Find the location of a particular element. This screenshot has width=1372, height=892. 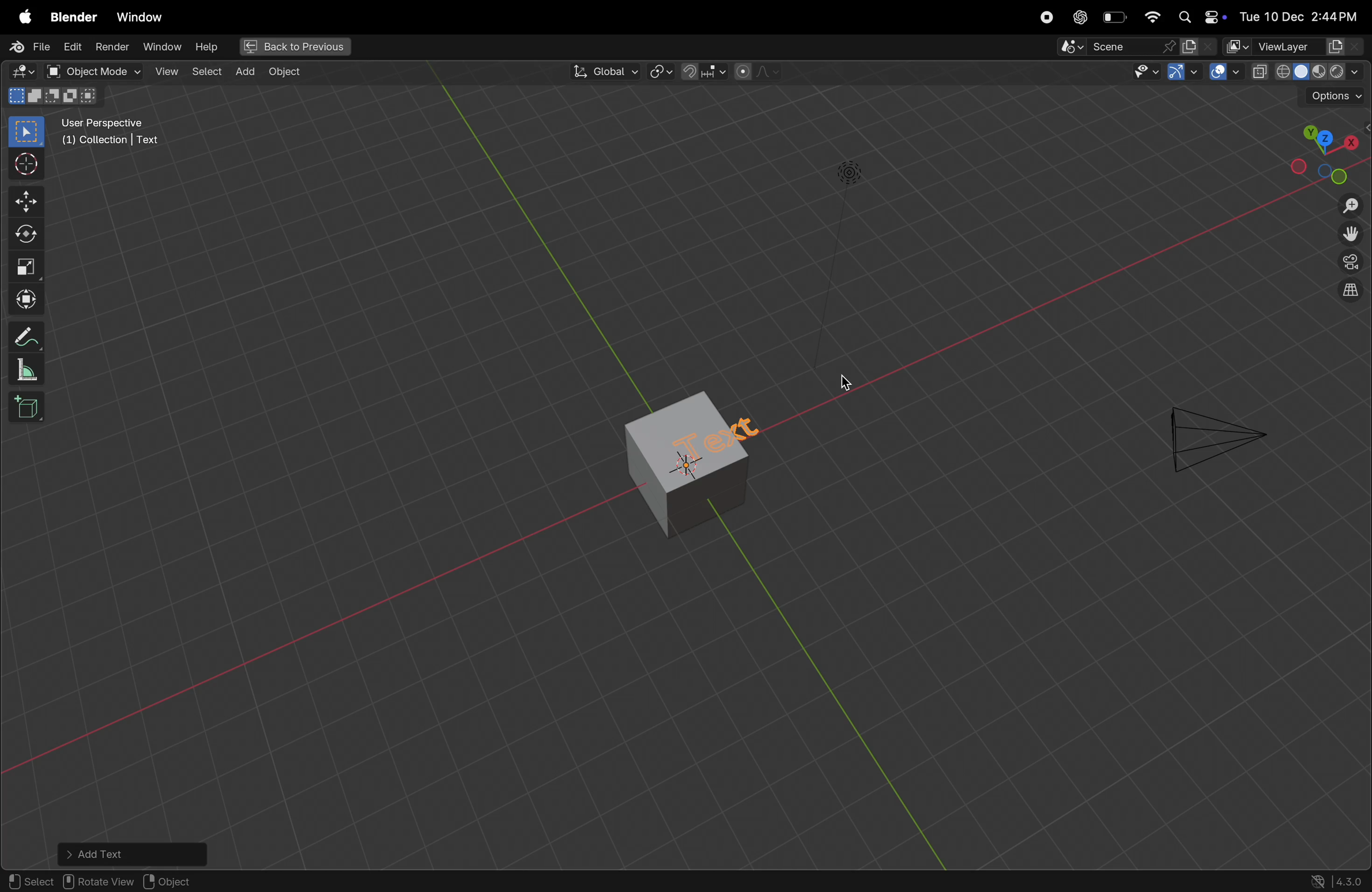

zoom is located at coordinates (1347, 205).